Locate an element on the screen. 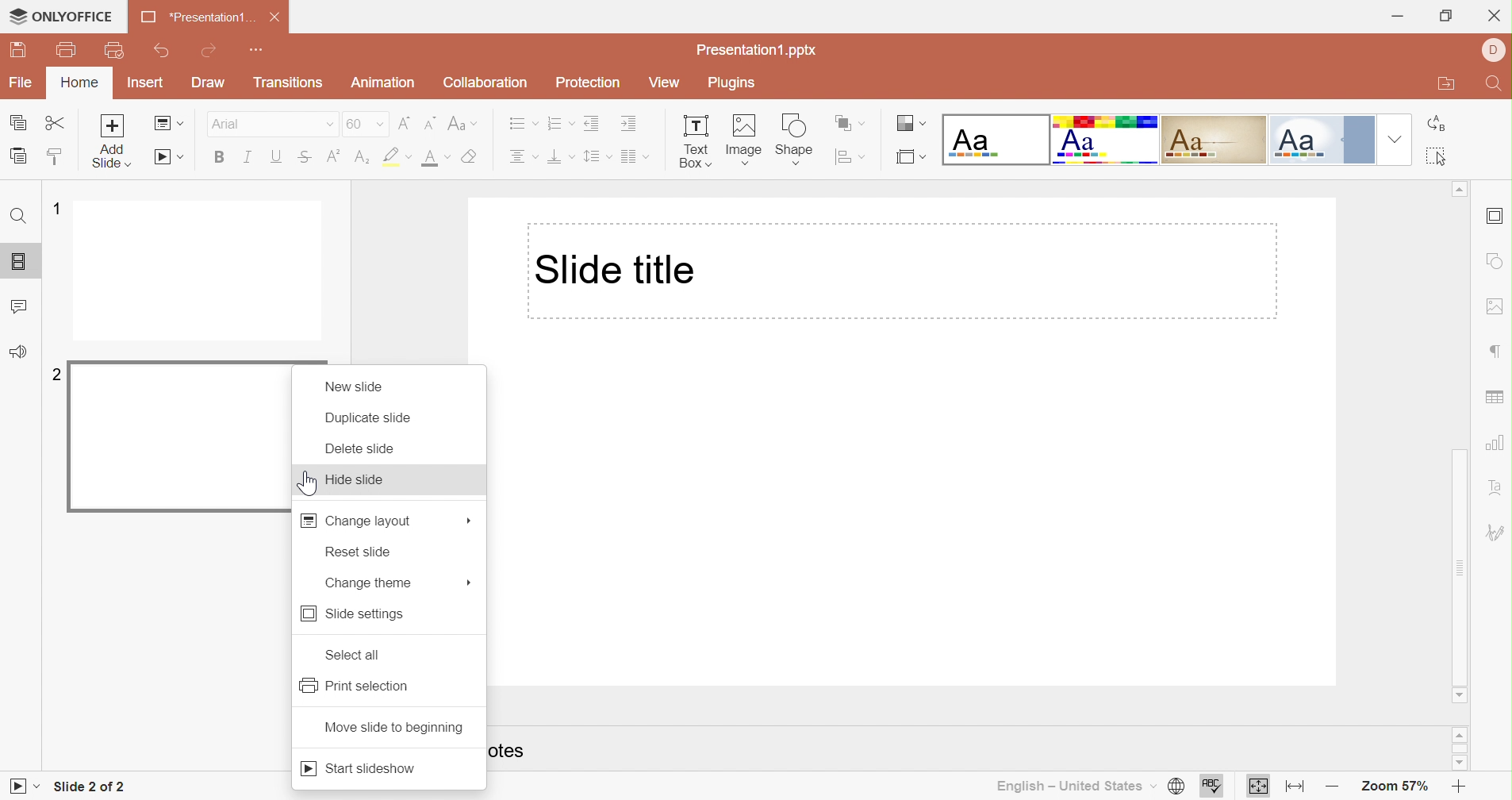 Image resolution: width=1512 pixels, height=800 pixels. Set document language is located at coordinates (1176, 786).